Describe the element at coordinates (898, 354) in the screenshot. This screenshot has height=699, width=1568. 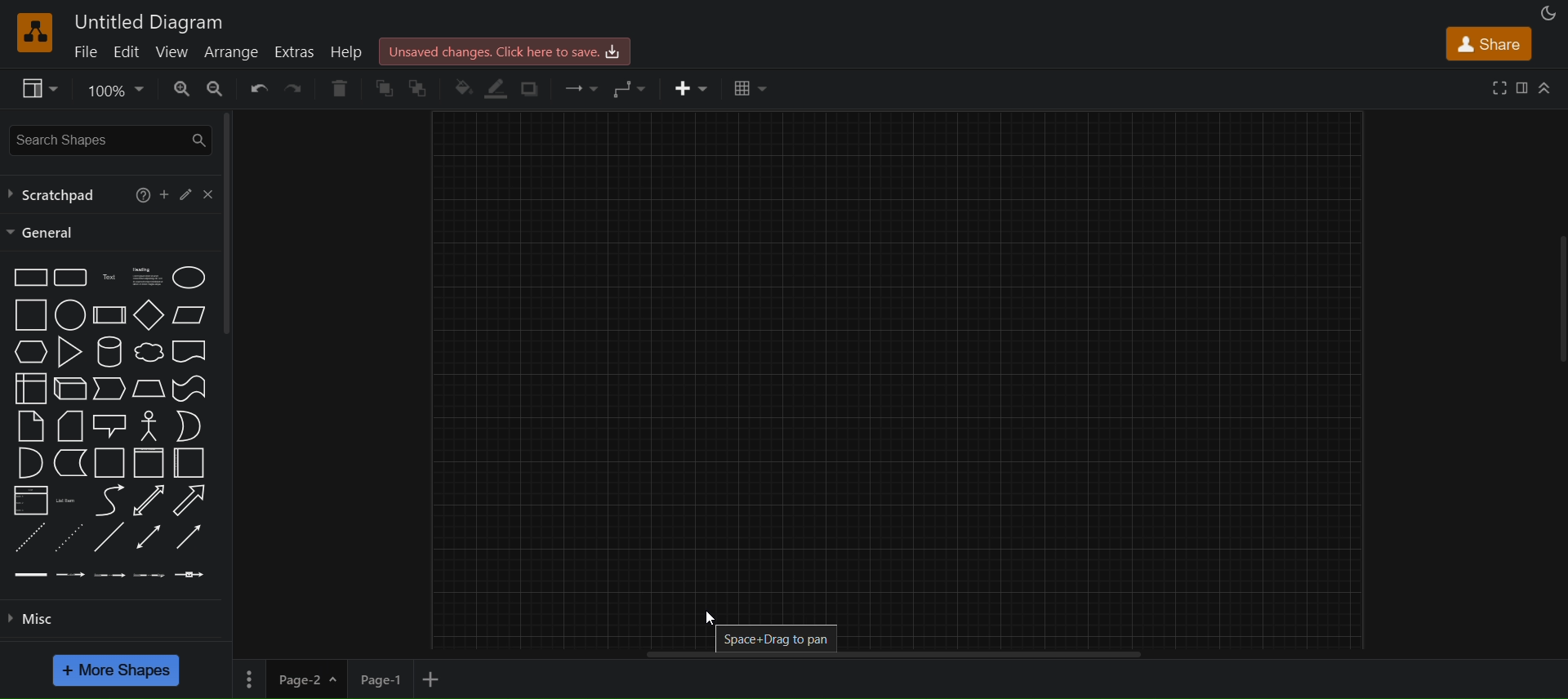
I see `canvas` at that location.